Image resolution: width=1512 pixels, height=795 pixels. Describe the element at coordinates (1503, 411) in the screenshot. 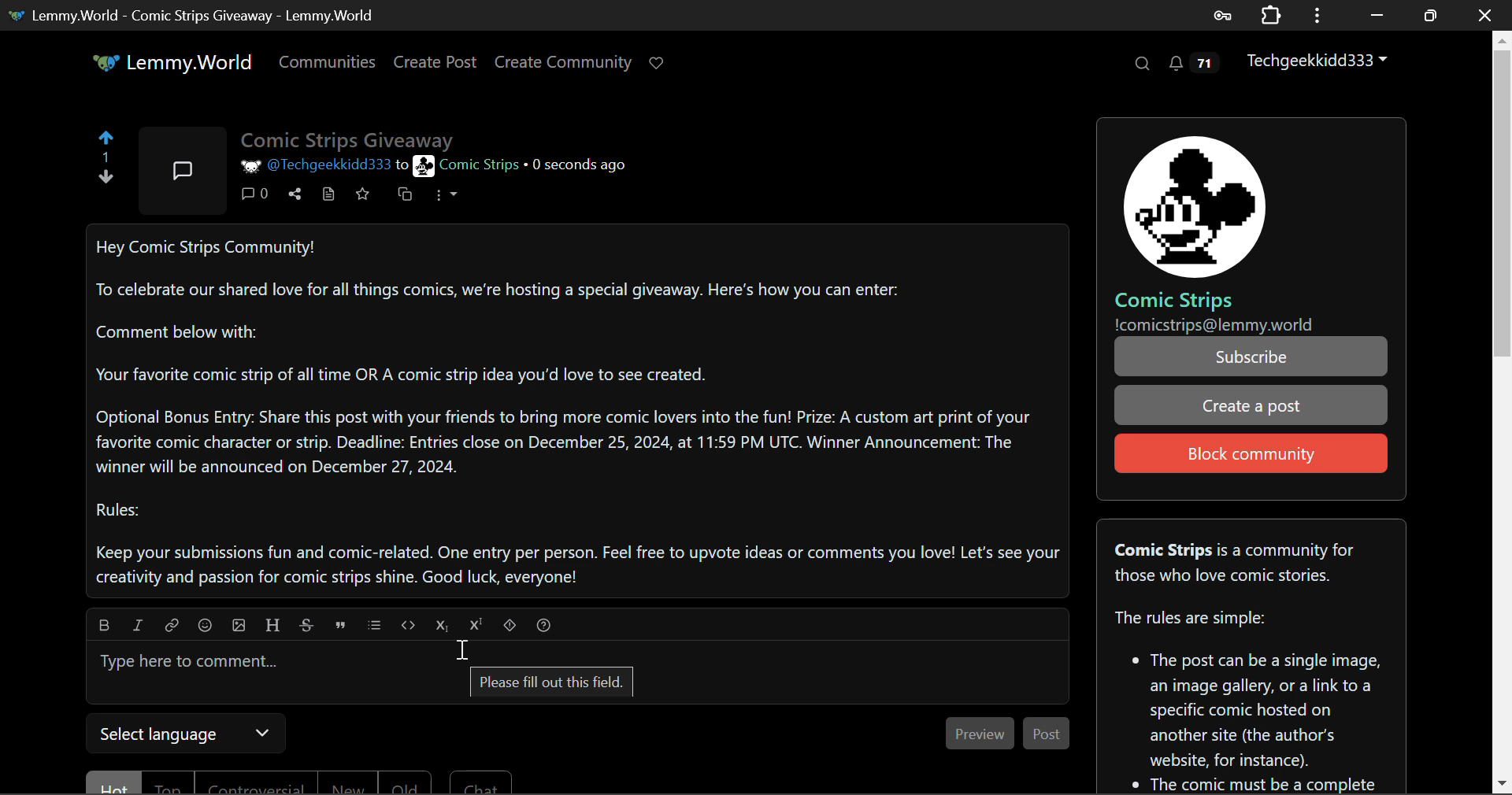

I see `Scroll Bar` at that location.